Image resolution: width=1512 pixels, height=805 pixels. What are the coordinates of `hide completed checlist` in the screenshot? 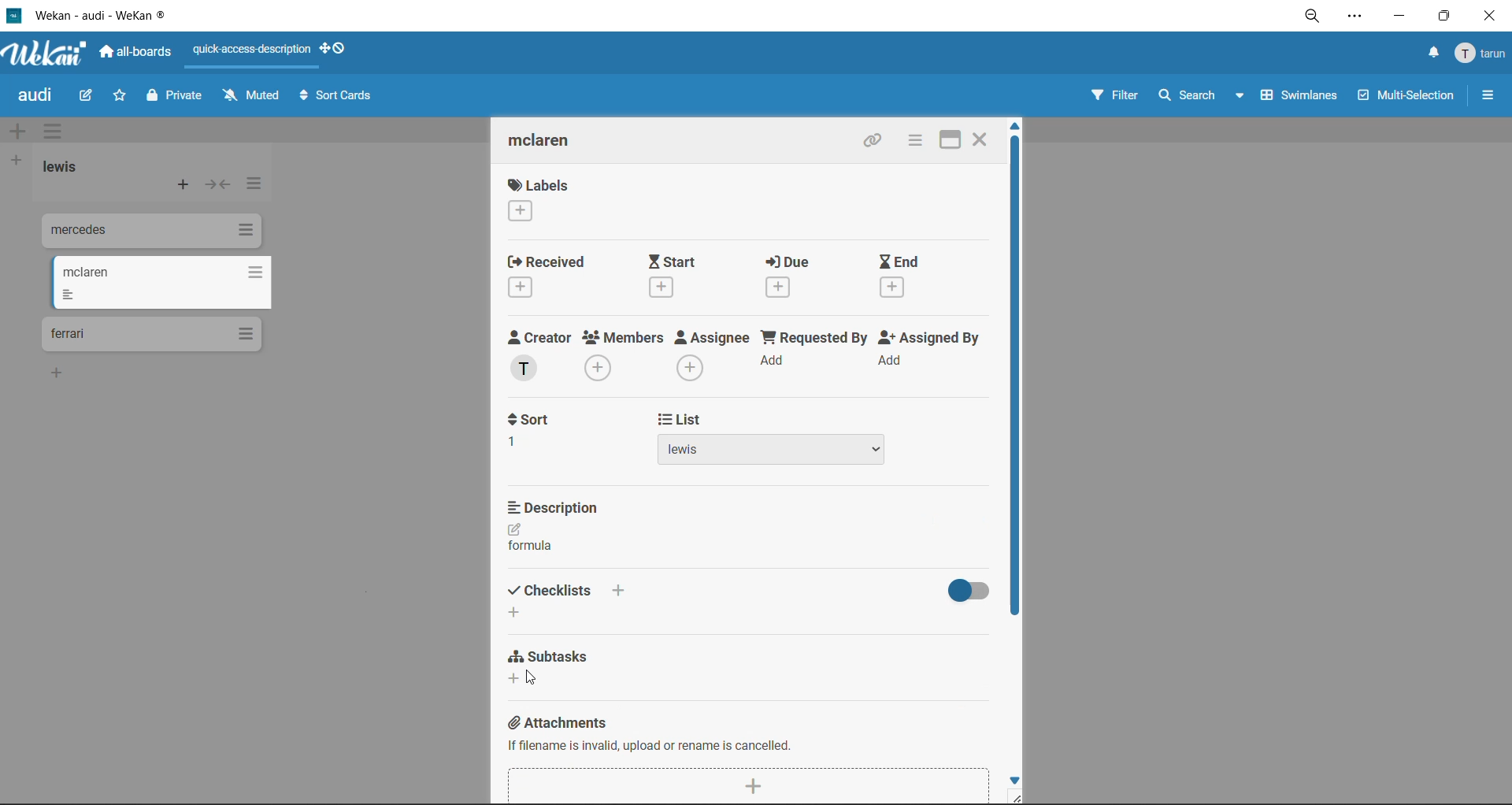 It's located at (966, 590).